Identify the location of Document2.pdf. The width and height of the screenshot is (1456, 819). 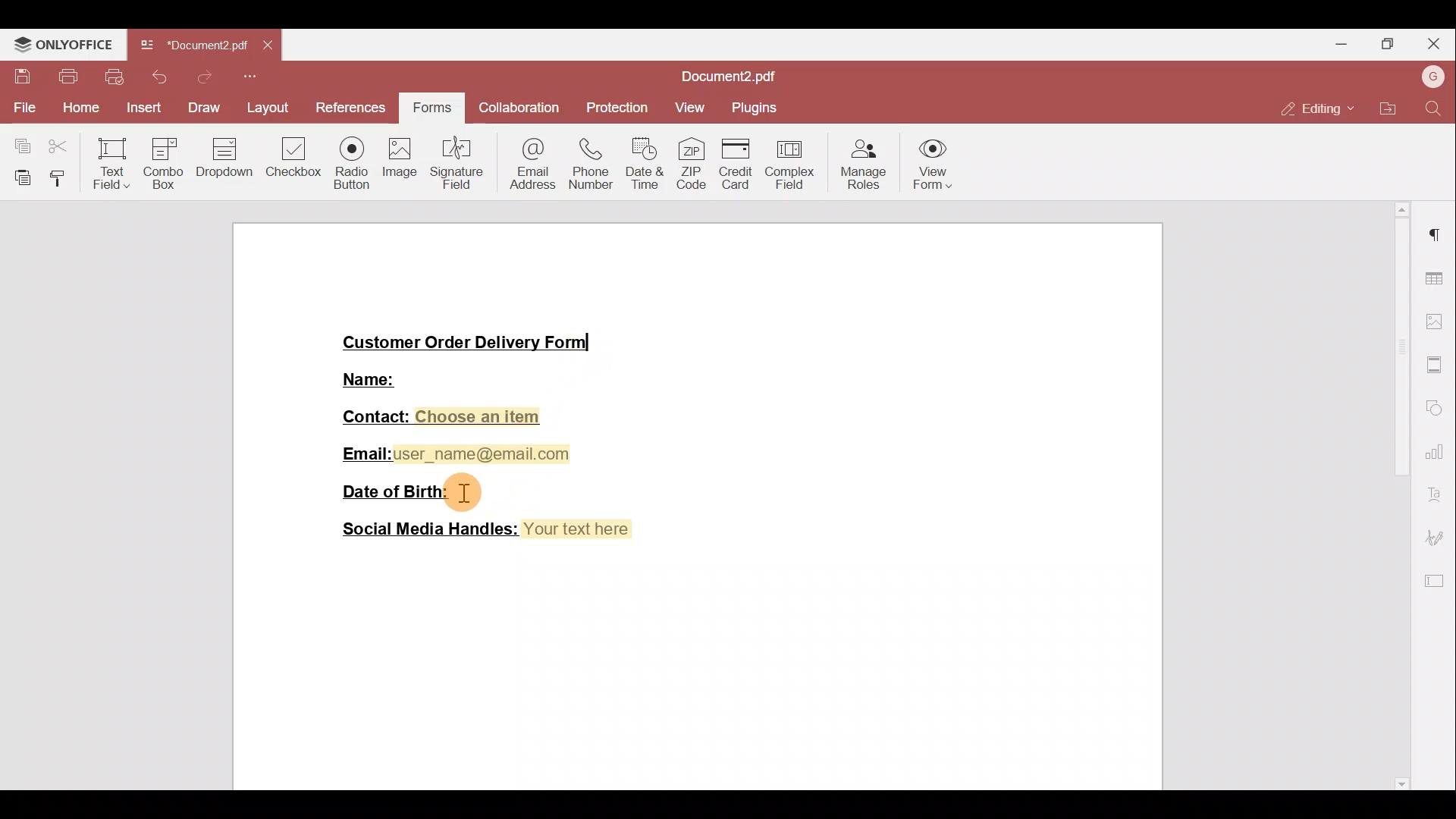
(720, 77).